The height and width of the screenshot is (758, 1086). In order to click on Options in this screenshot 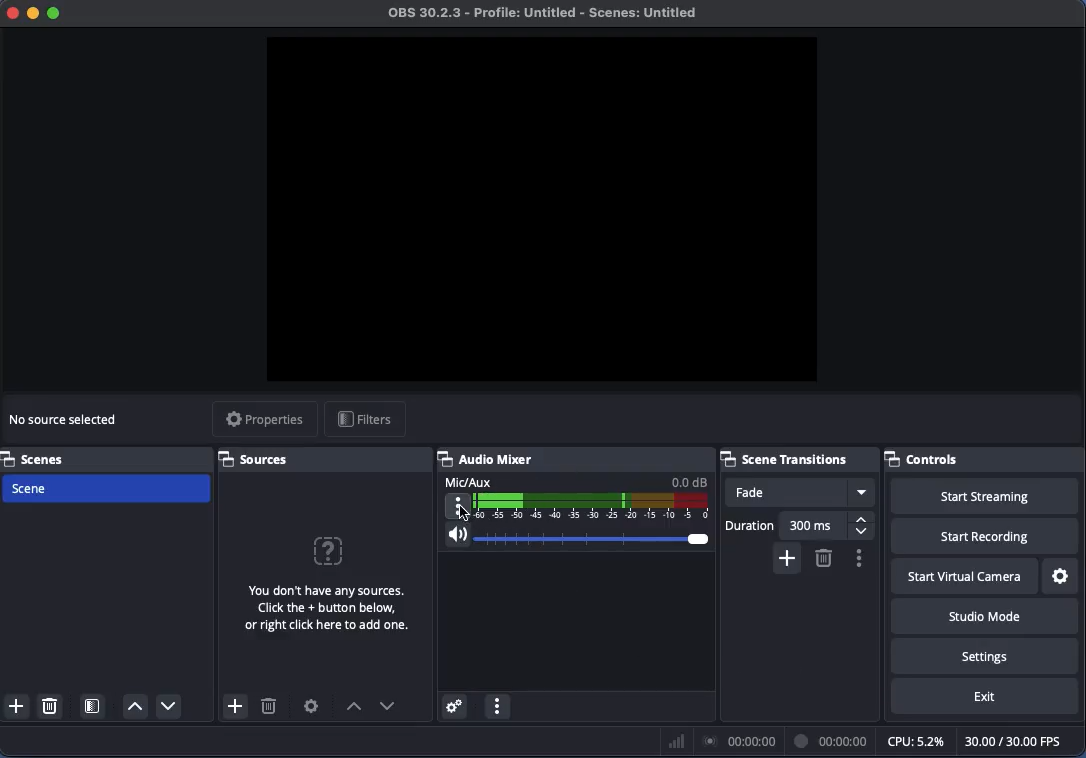, I will do `click(858, 558)`.